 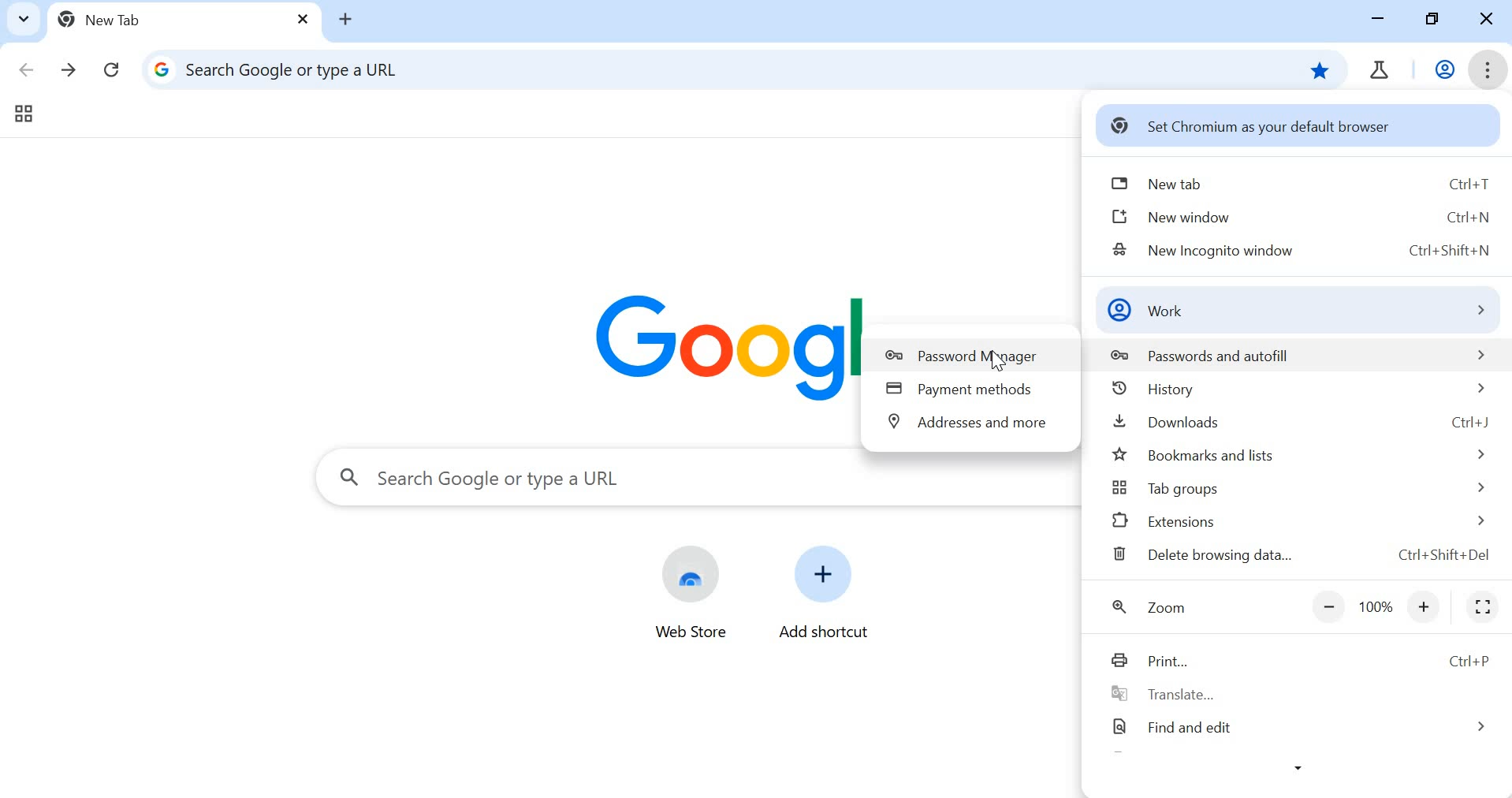 I want to click on Google Logo, so click(x=713, y=348).